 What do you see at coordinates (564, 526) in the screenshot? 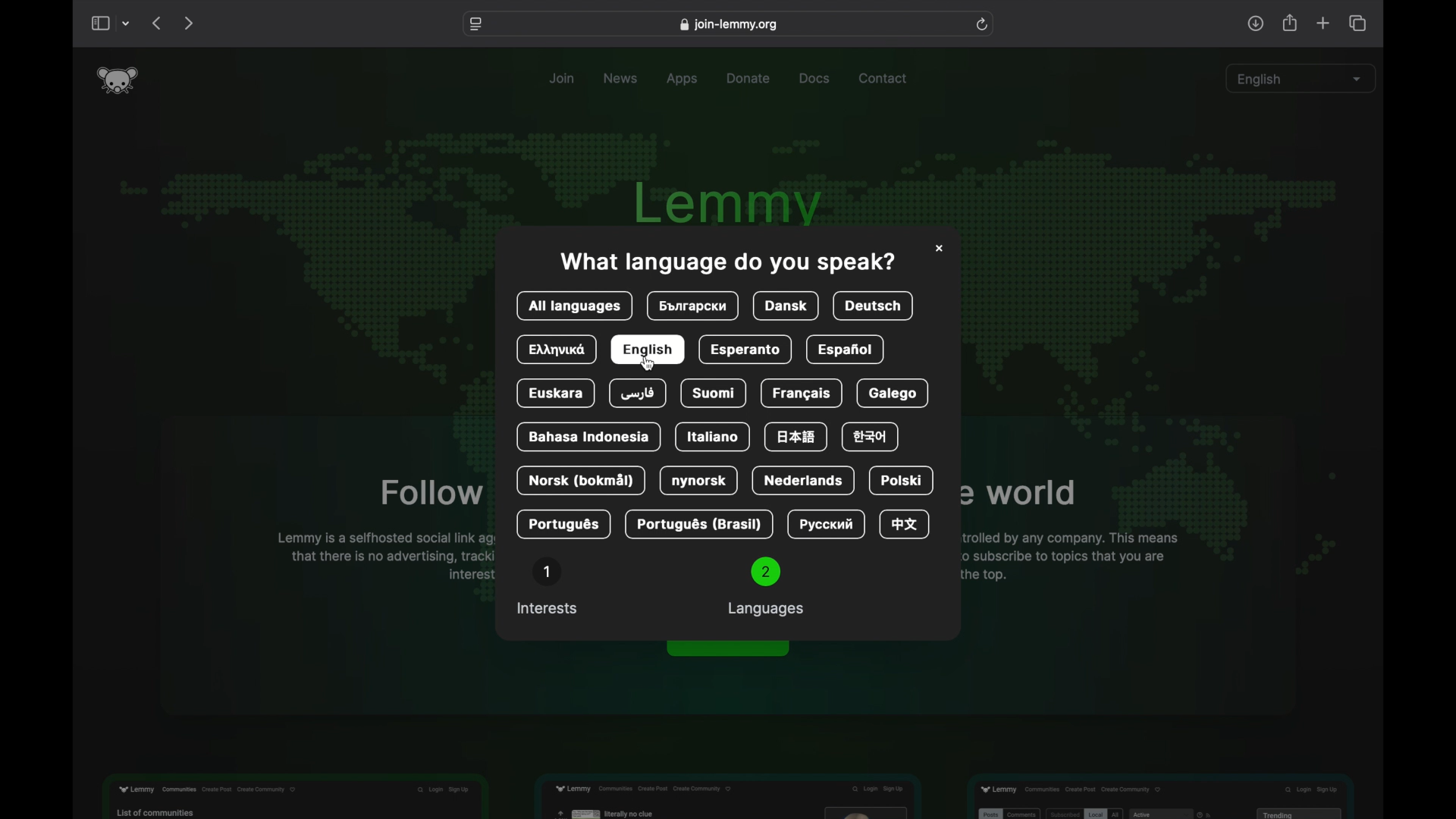
I see `portogues` at bounding box center [564, 526].